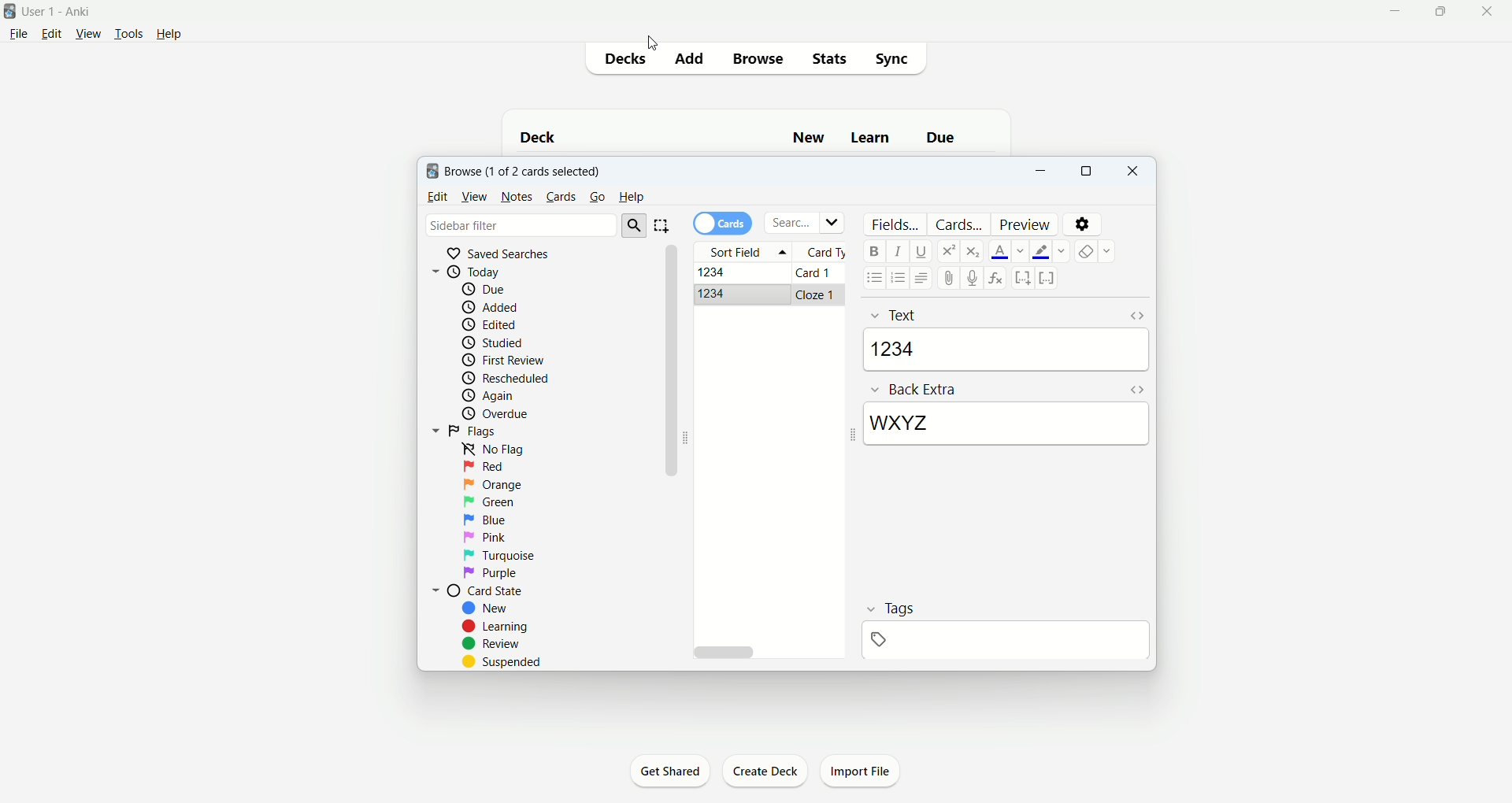  What do you see at coordinates (466, 272) in the screenshot?
I see `today` at bounding box center [466, 272].